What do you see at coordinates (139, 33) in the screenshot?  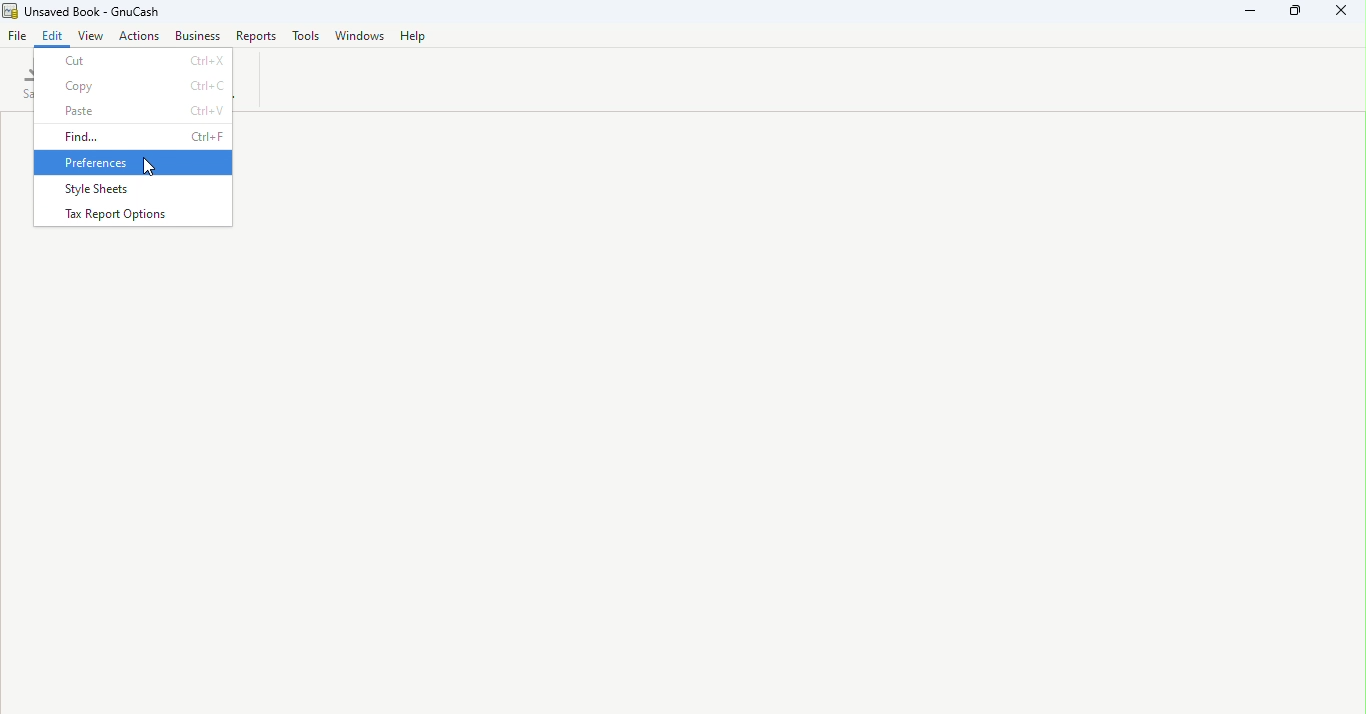 I see `Actions` at bounding box center [139, 33].